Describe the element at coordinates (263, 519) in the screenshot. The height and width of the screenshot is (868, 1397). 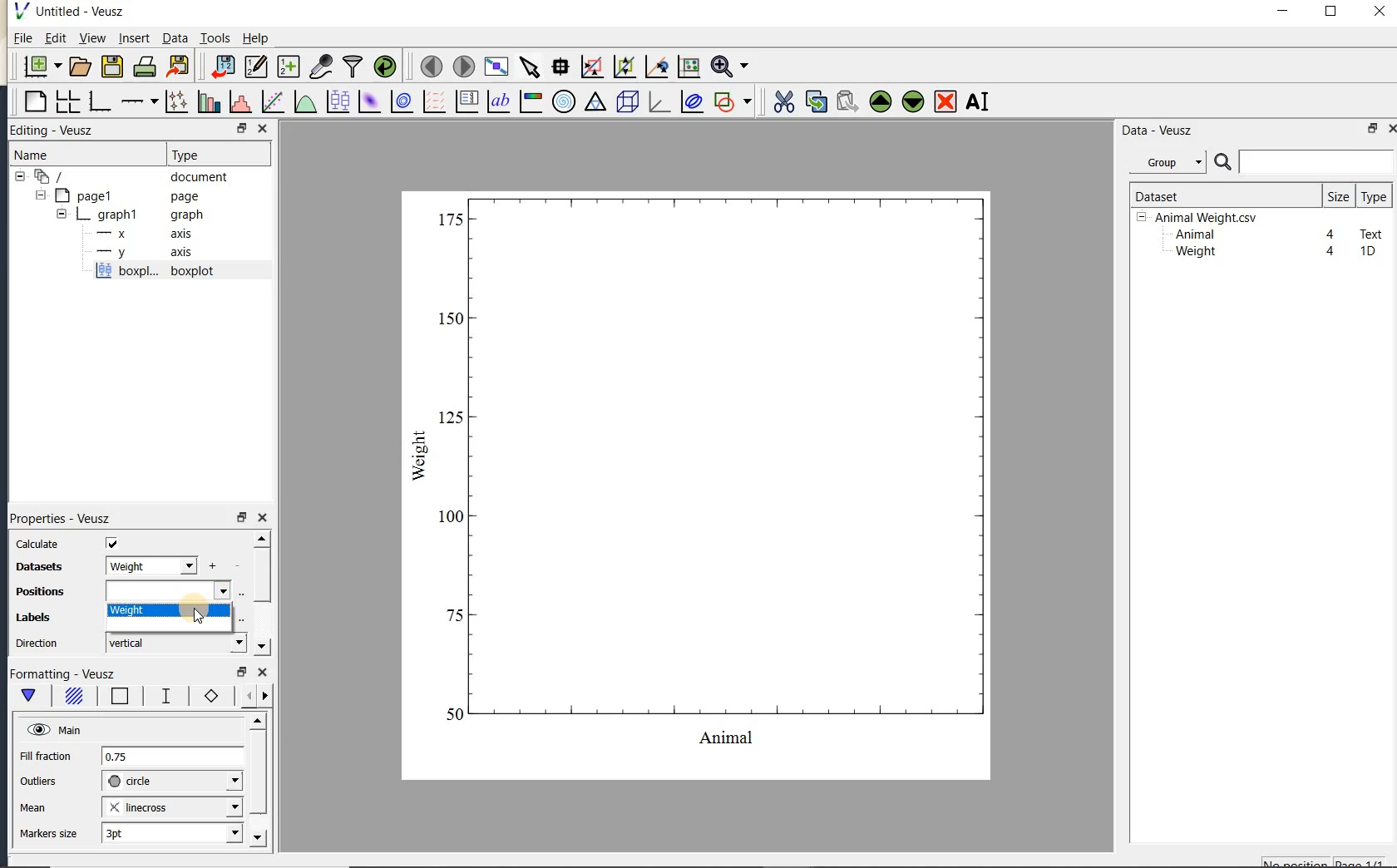
I see `close` at that location.